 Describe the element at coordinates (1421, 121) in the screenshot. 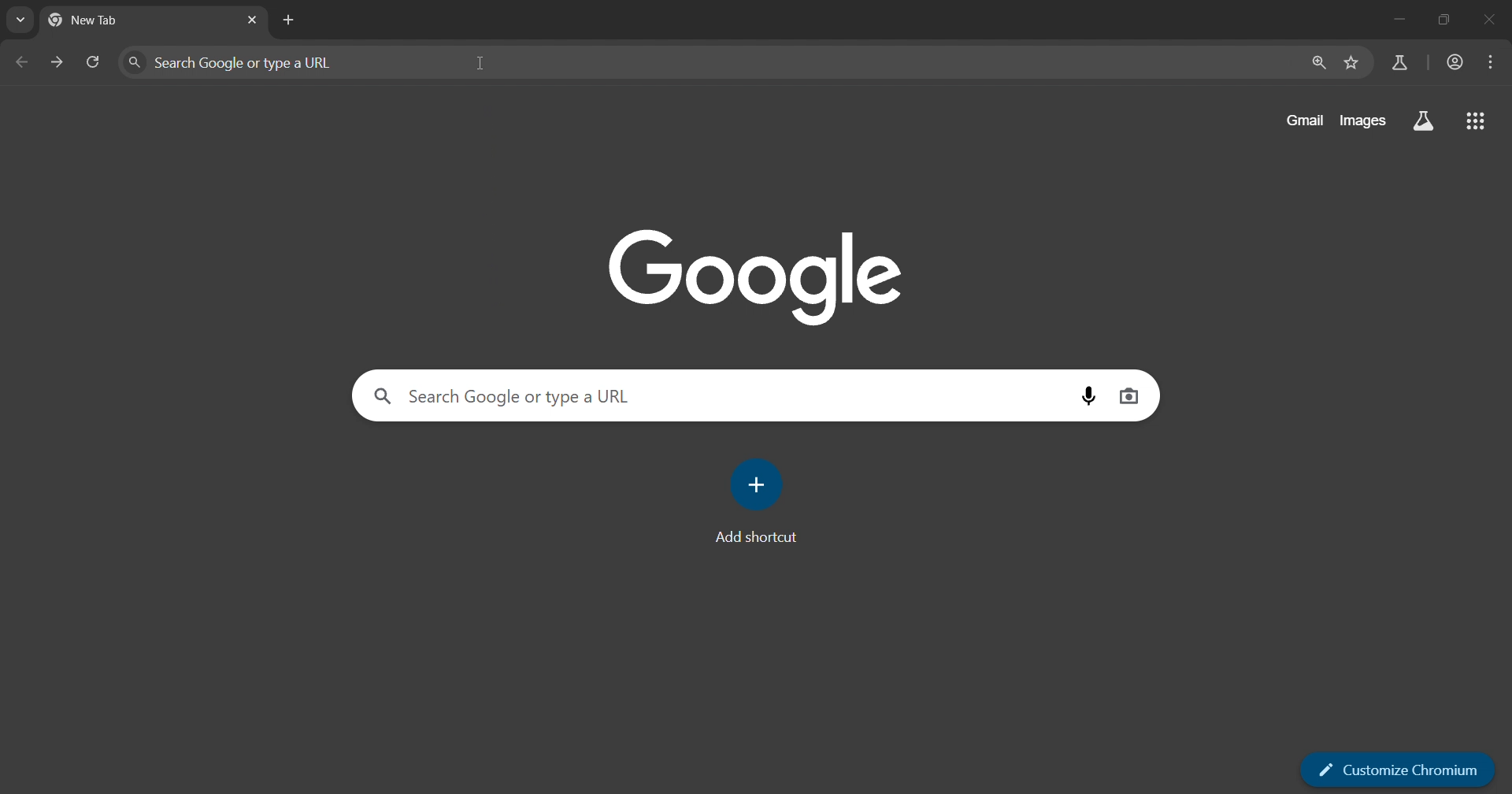

I see `search labs` at that location.